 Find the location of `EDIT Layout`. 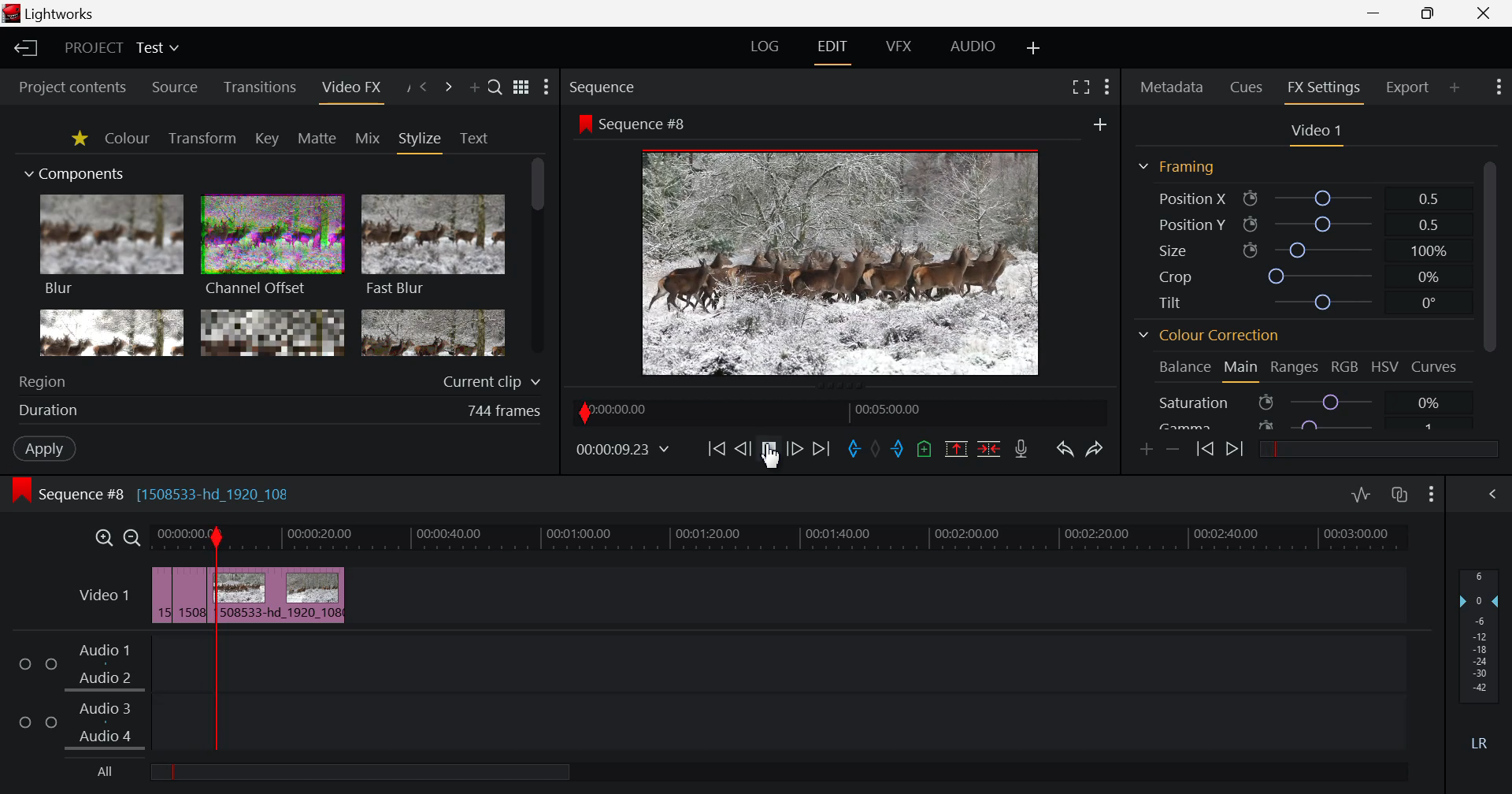

EDIT Layout is located at coordinates (831, 50).